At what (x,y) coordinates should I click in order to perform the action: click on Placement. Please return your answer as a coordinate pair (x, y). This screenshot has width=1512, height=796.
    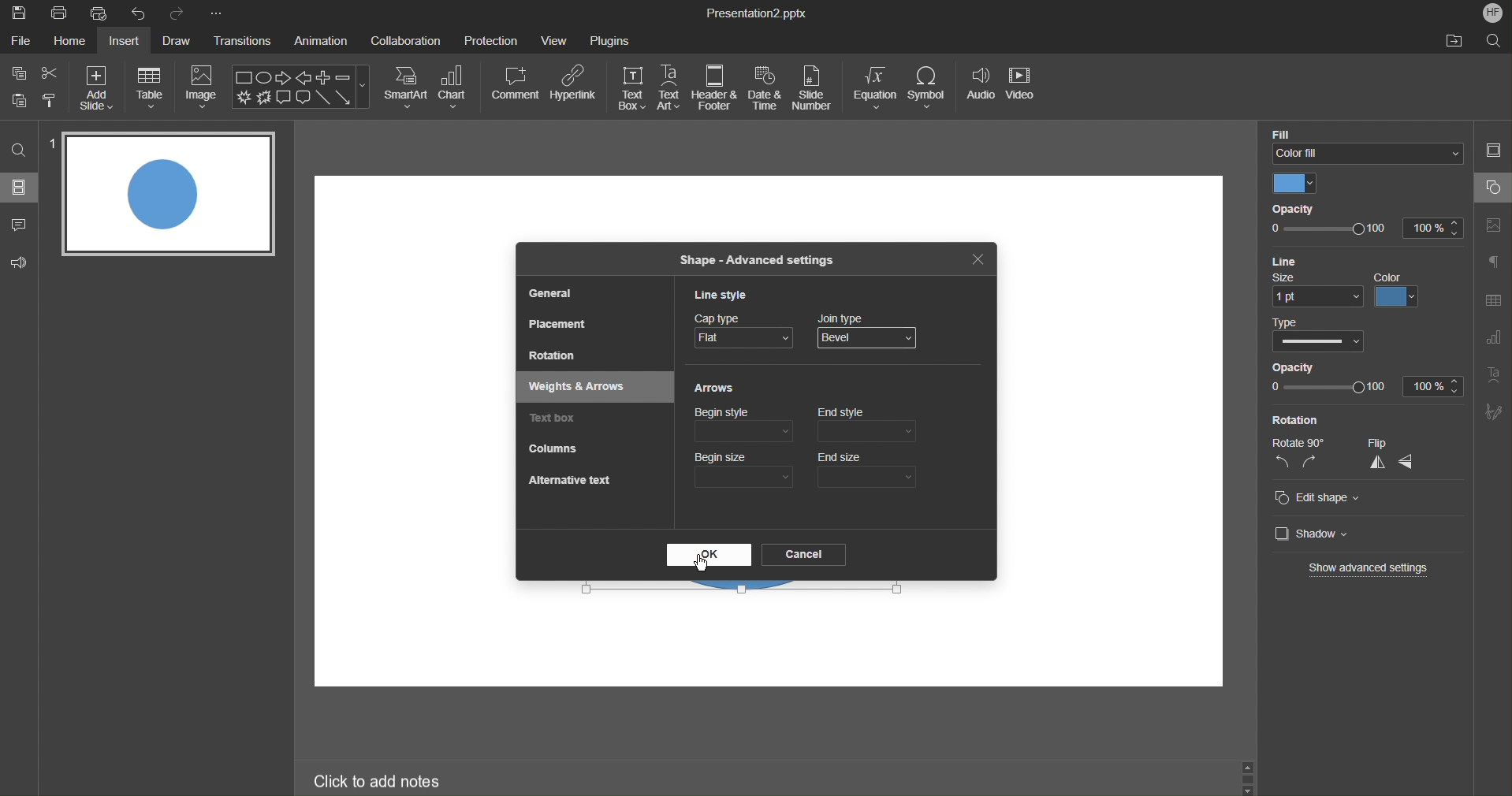
    Looking at the image, I should click on (555, 322).